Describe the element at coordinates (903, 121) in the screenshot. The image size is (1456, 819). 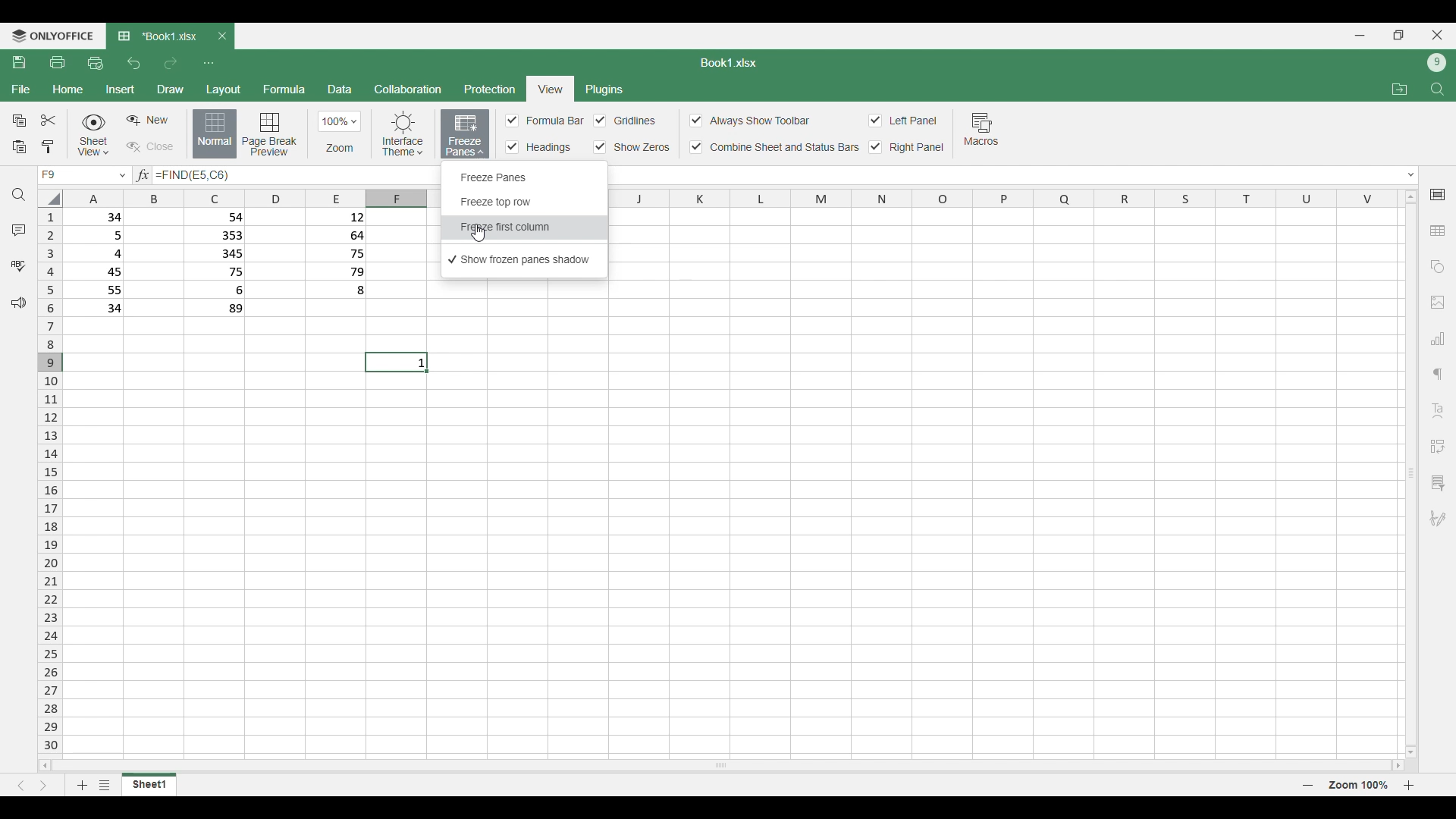
I see `Toggles for left panel` at that location.